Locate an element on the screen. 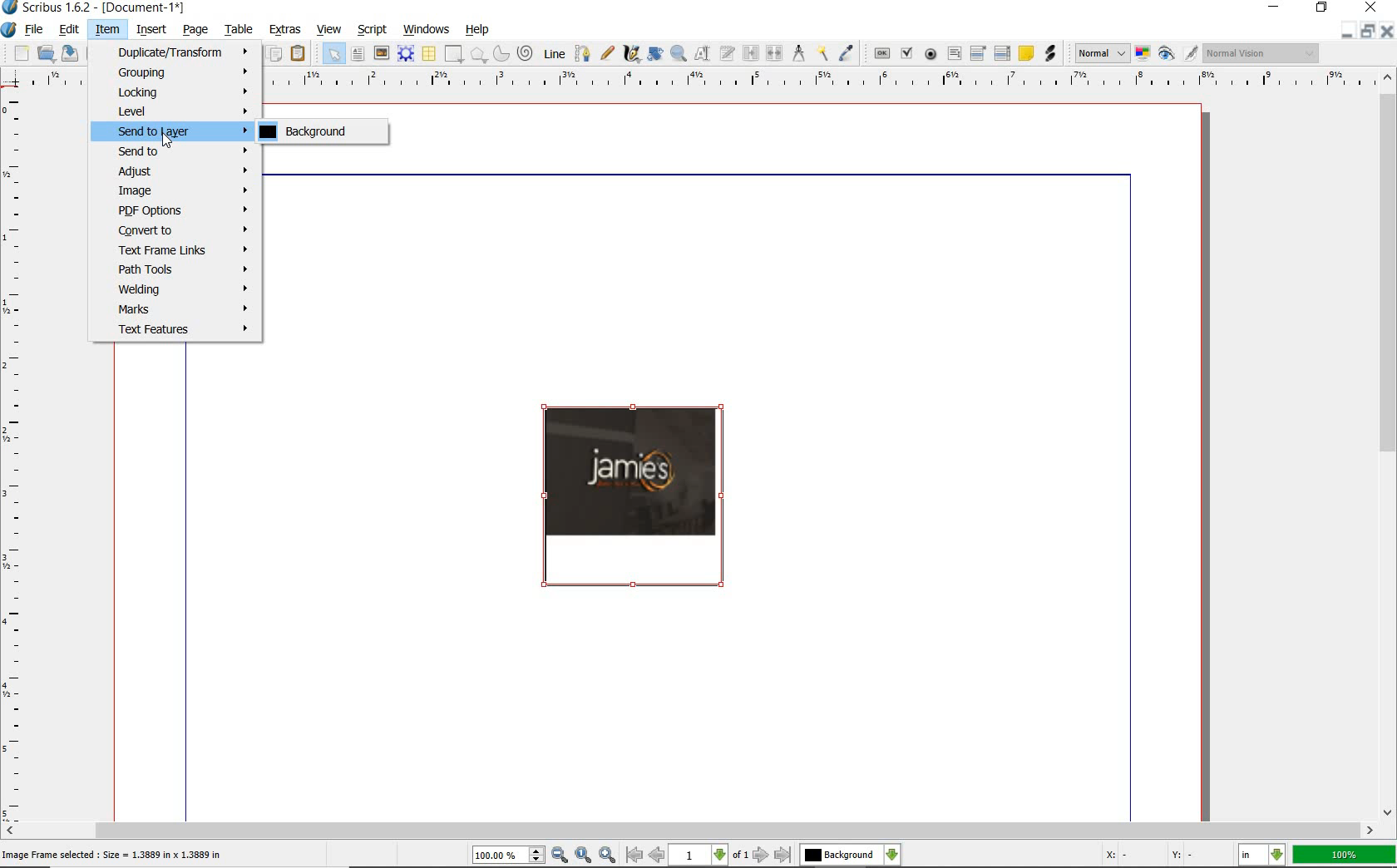  link annotation is located at coordinates (1050, 55).